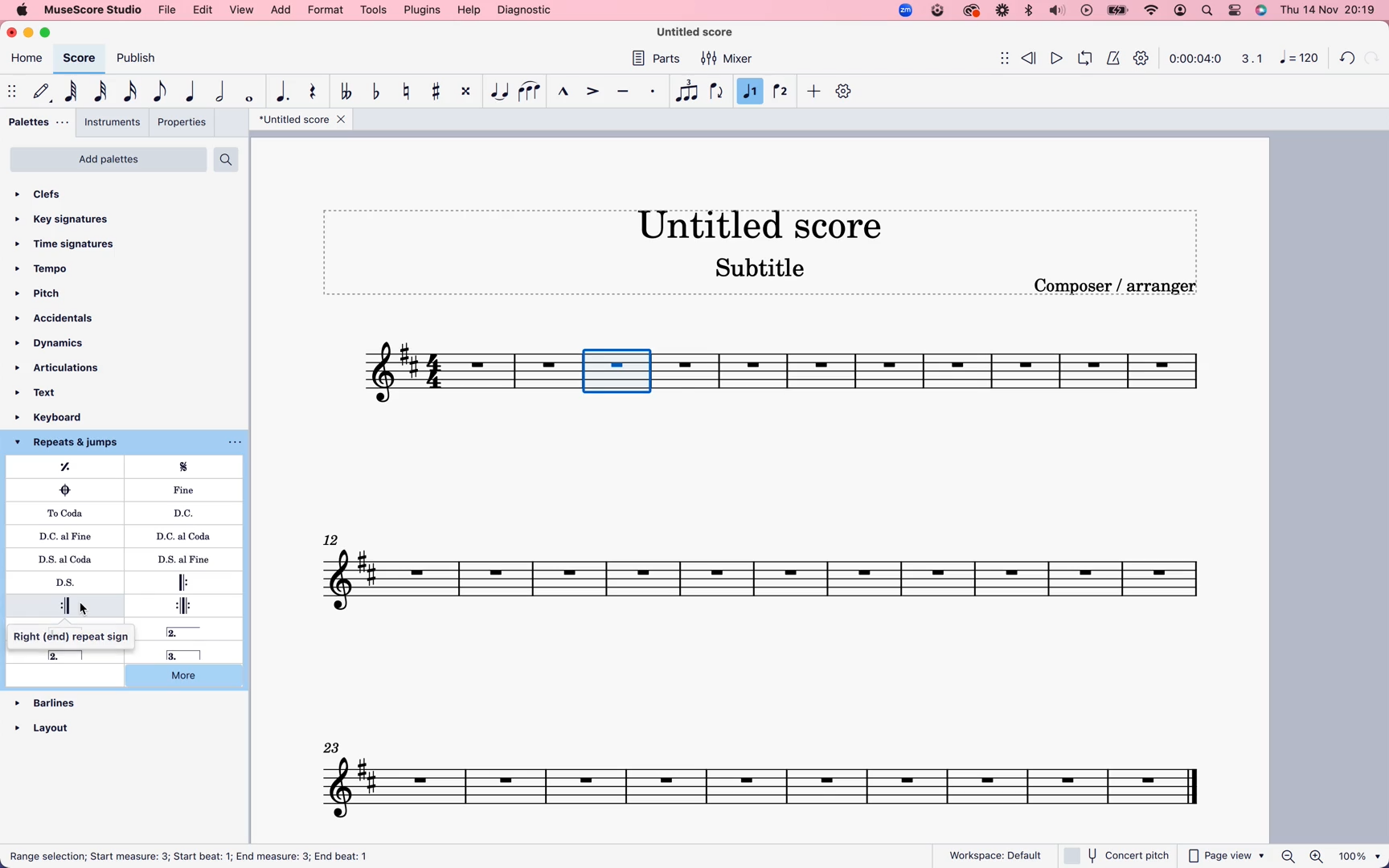  What do you see at coordinates (770, 223) in the screenshot?
I see `score name` at bounding box center [770, 223].